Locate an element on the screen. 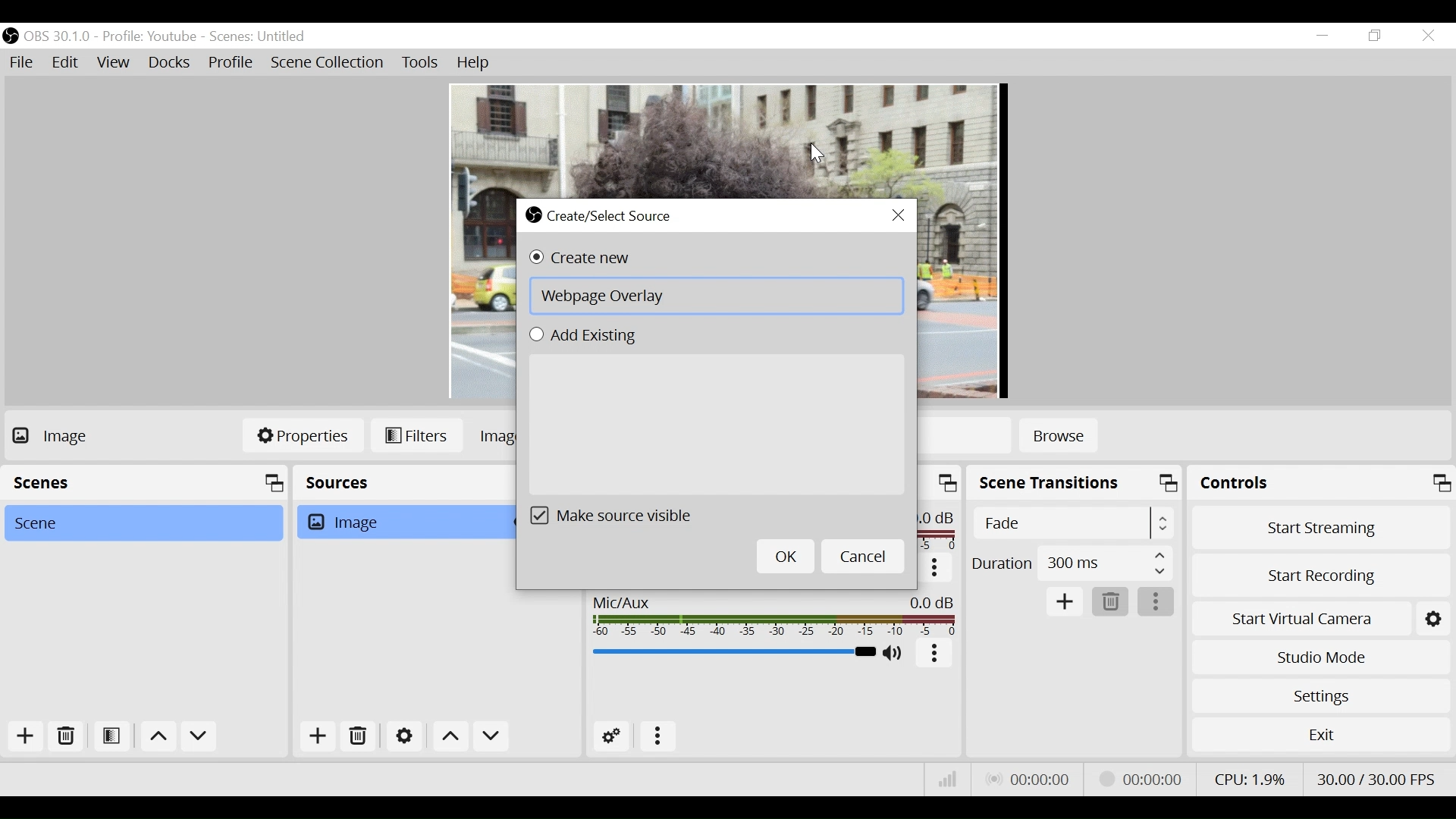  Move Up is located at coordinates (450, 736).